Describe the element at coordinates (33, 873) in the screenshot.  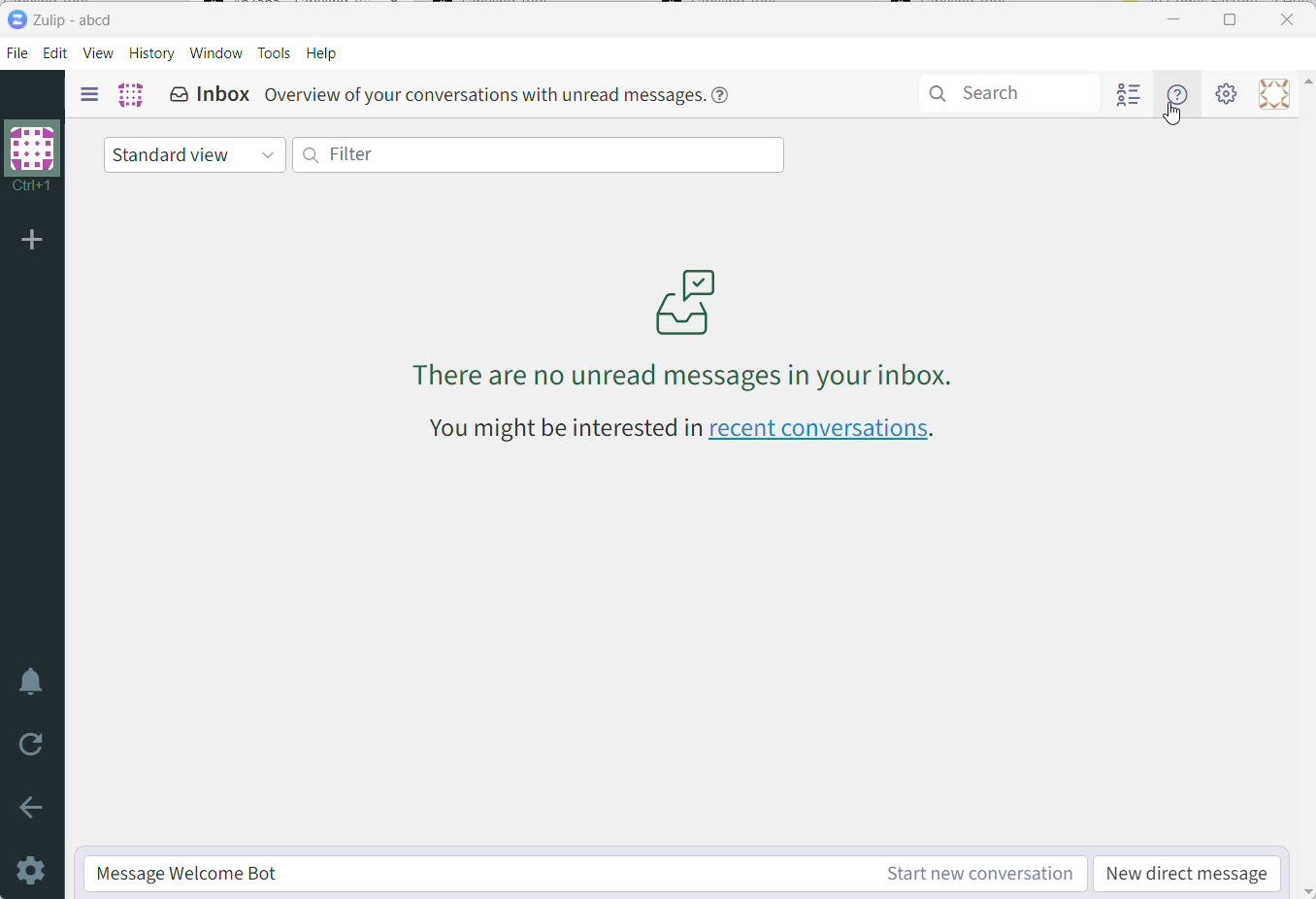
I see `Settings` at that location.